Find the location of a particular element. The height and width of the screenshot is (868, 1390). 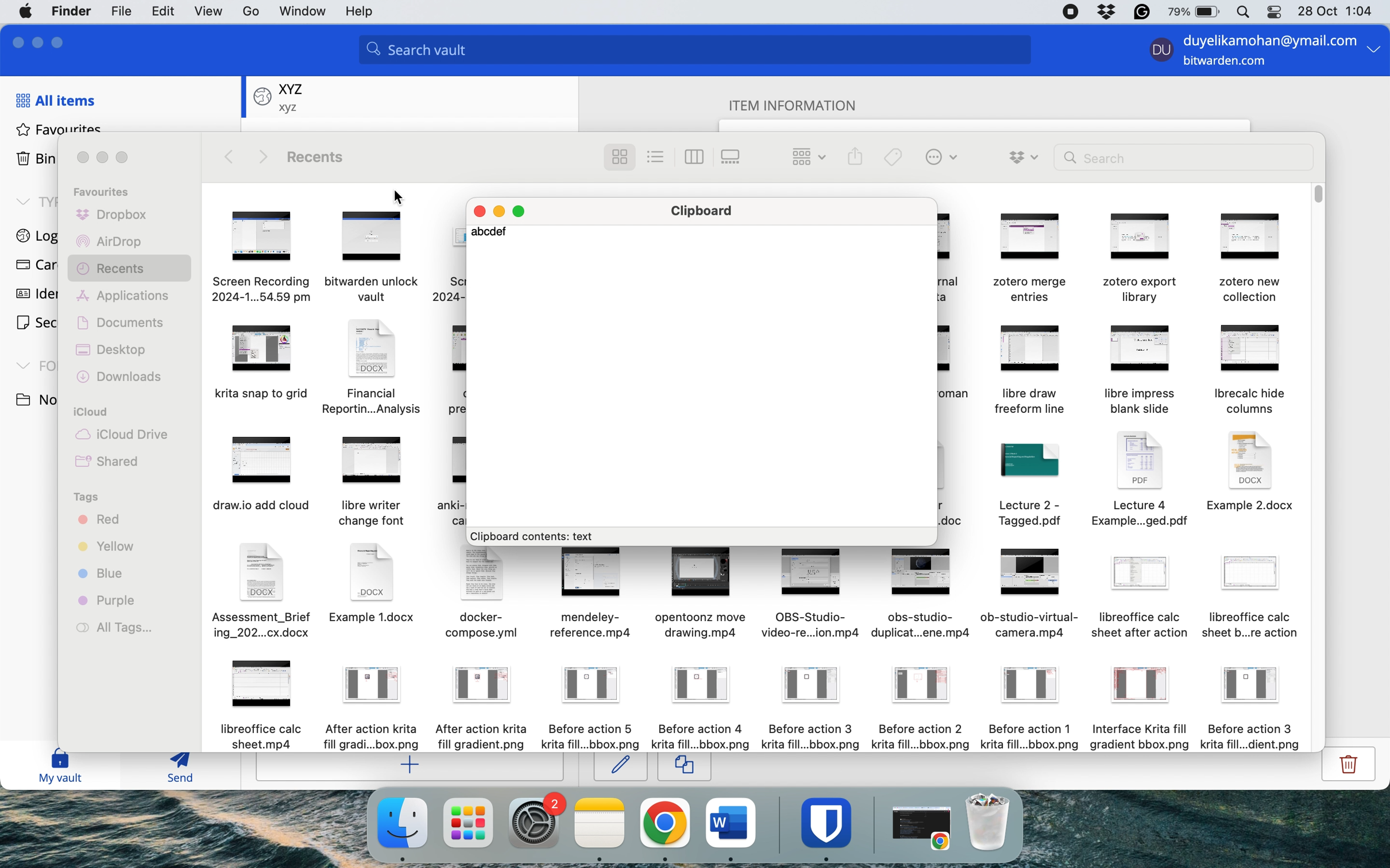

battery is located at coordinates (1190, 12).